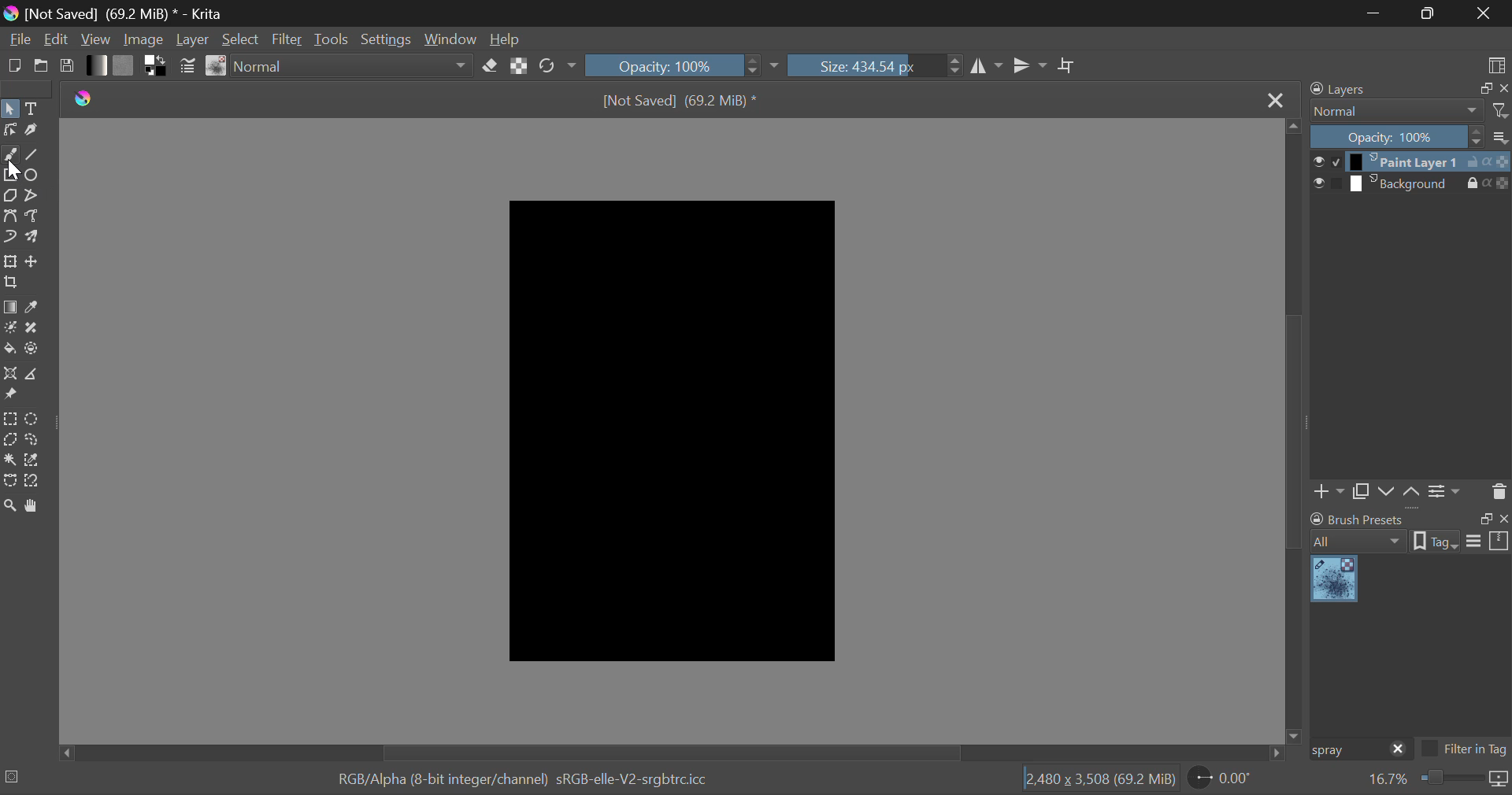 This screenshot has height=795, width=1512. I want to click on Similar Color Selector, so click(35, 460).